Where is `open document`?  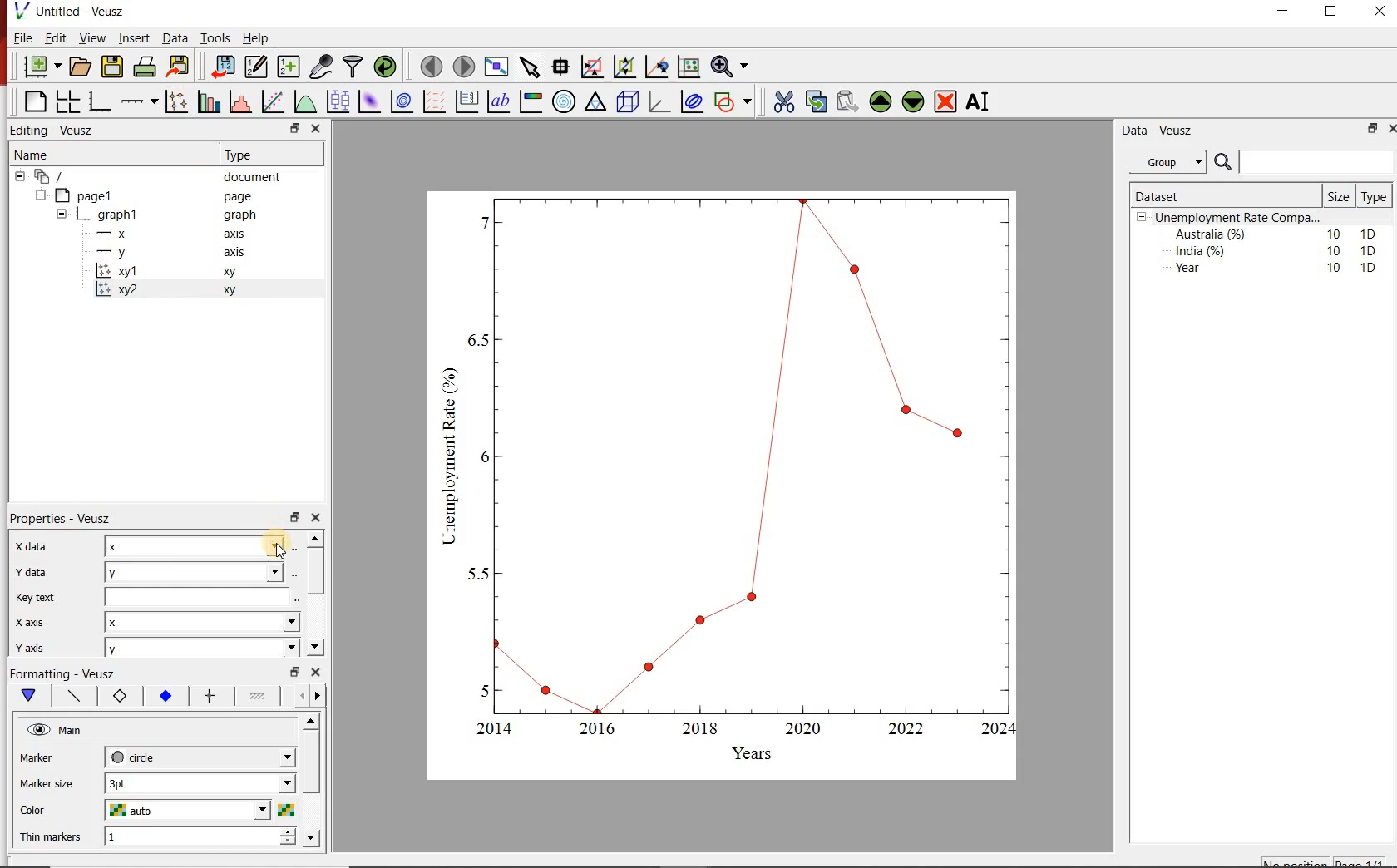 open document is located at coordinates (81, 67).